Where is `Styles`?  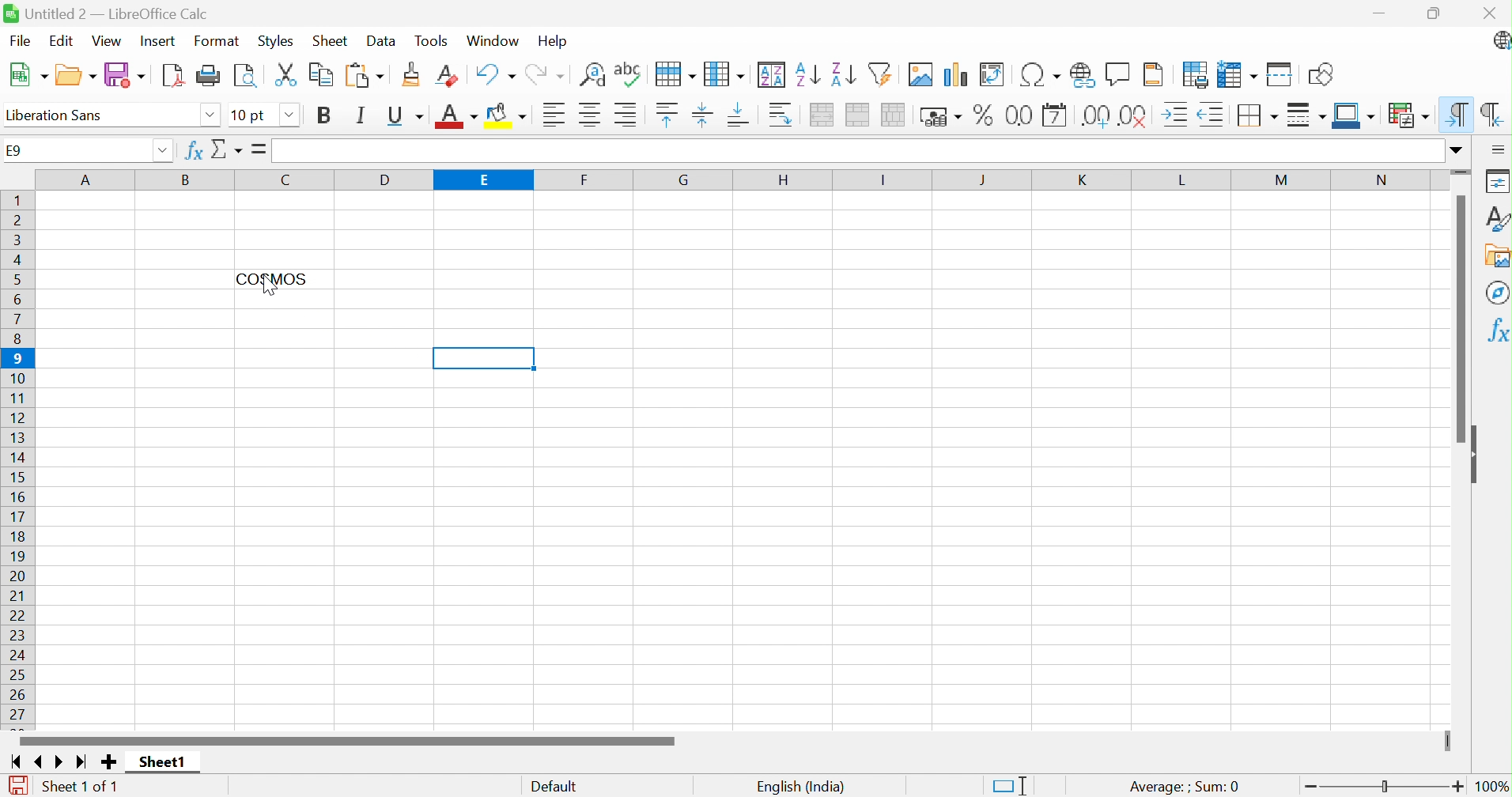 Styles is located at coordinates (1498, 218).